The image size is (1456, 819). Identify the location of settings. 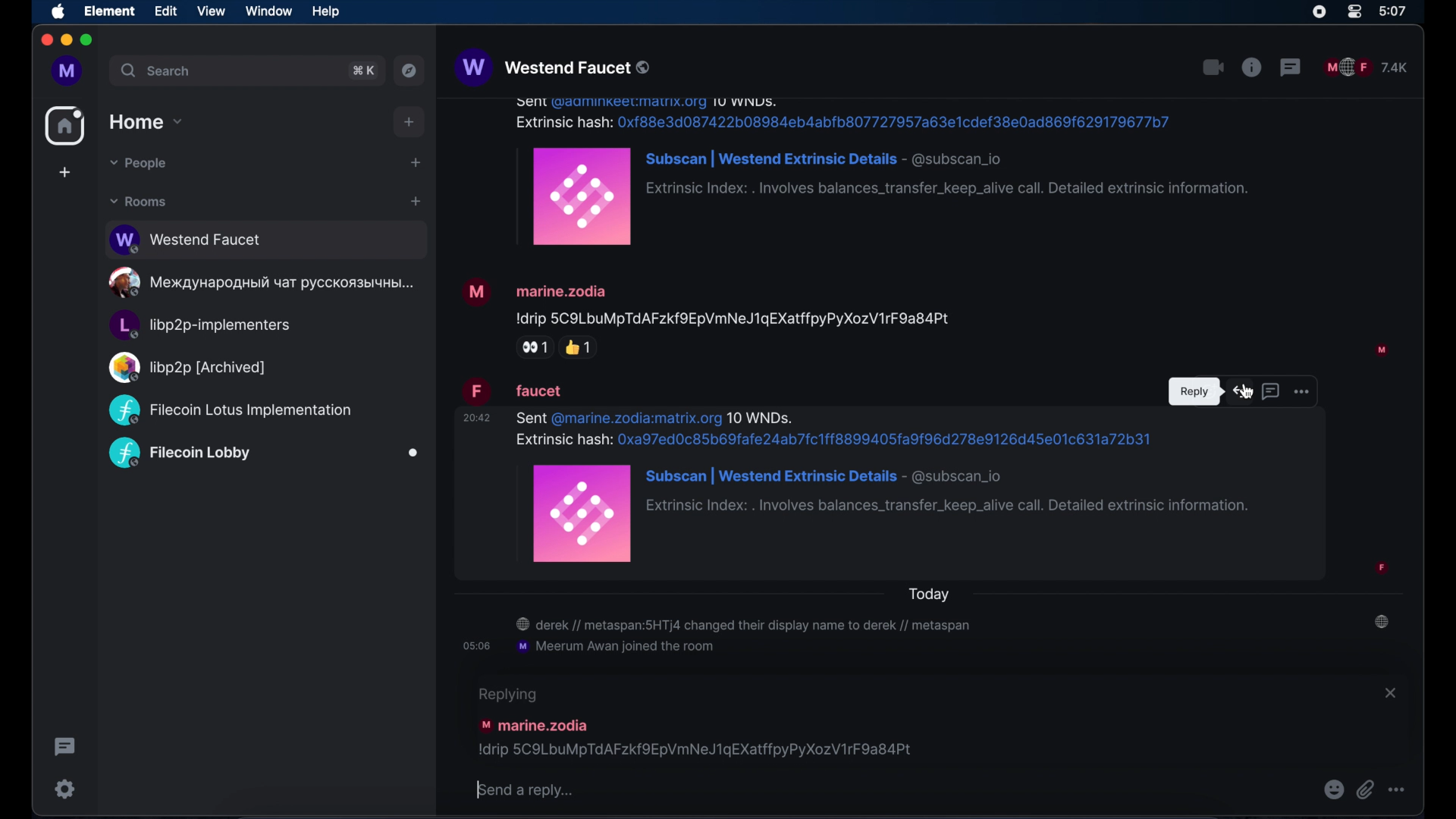
(65, 789).